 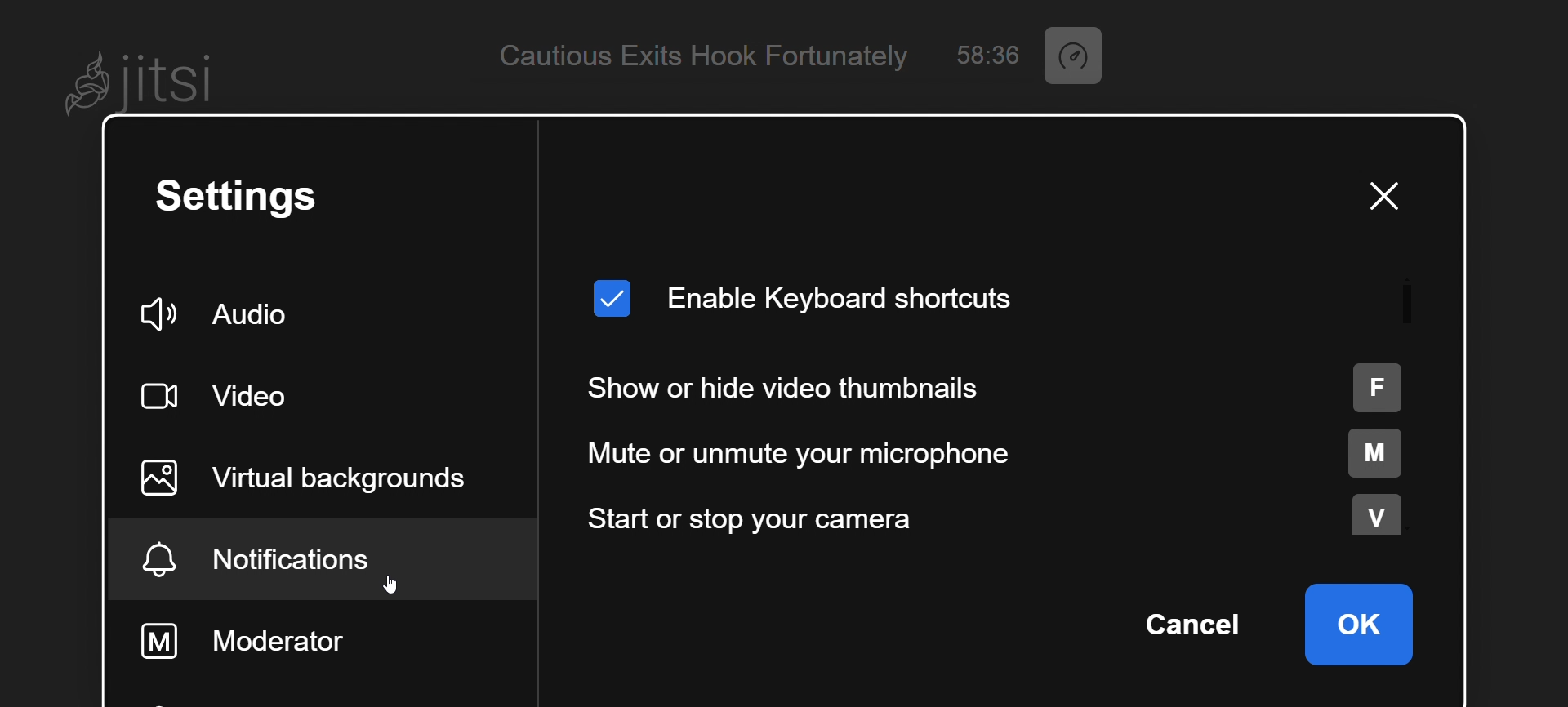 What do you see at coordinates (1405, 300) in the screenshot?
I see `scroll bar` at bounding box center [1405, 300].